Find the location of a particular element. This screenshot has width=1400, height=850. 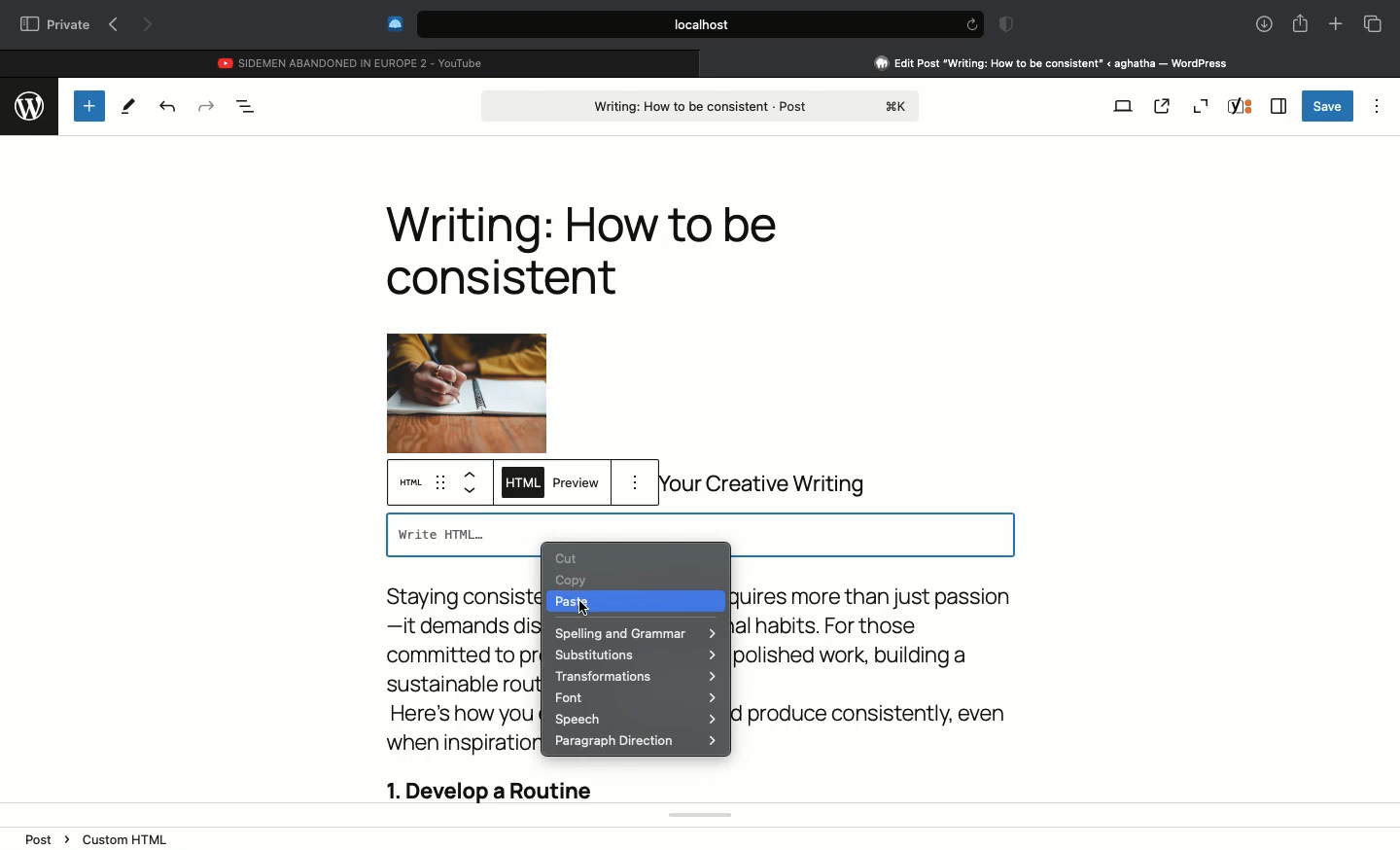

Body is located at coordinates (453, 691).